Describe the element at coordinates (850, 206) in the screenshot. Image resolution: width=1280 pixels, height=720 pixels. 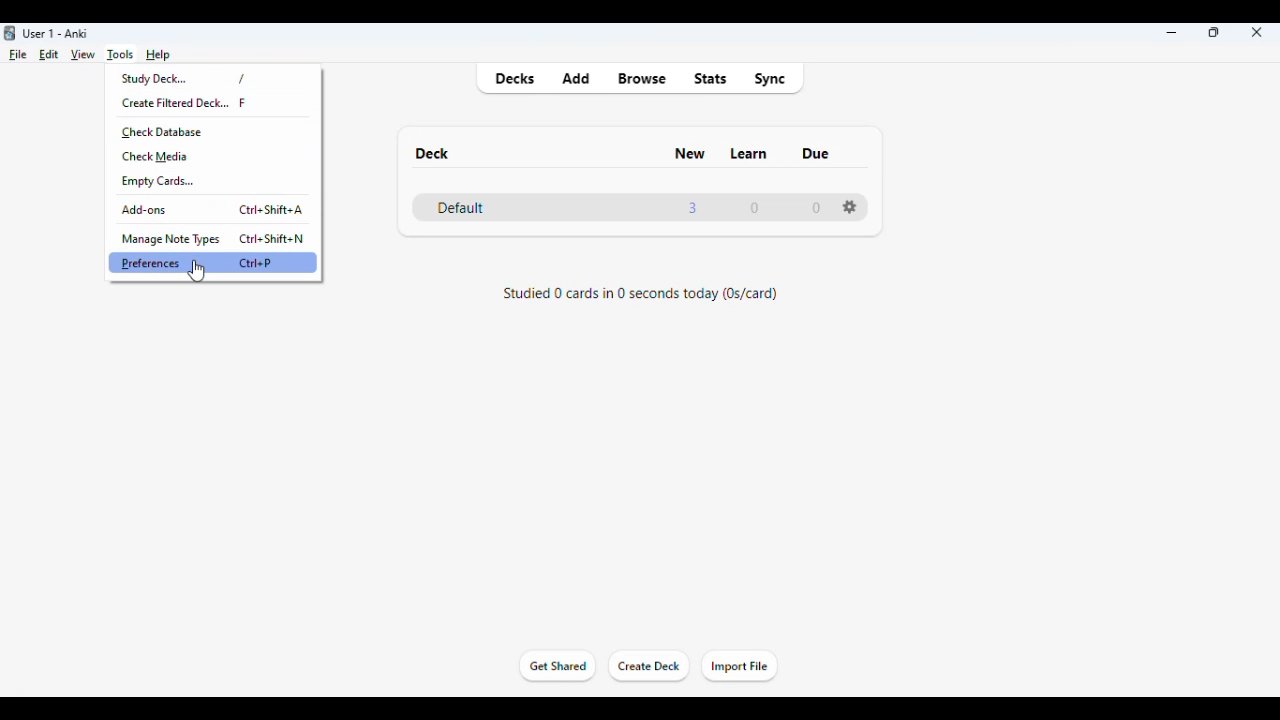
I see `options` at that location.